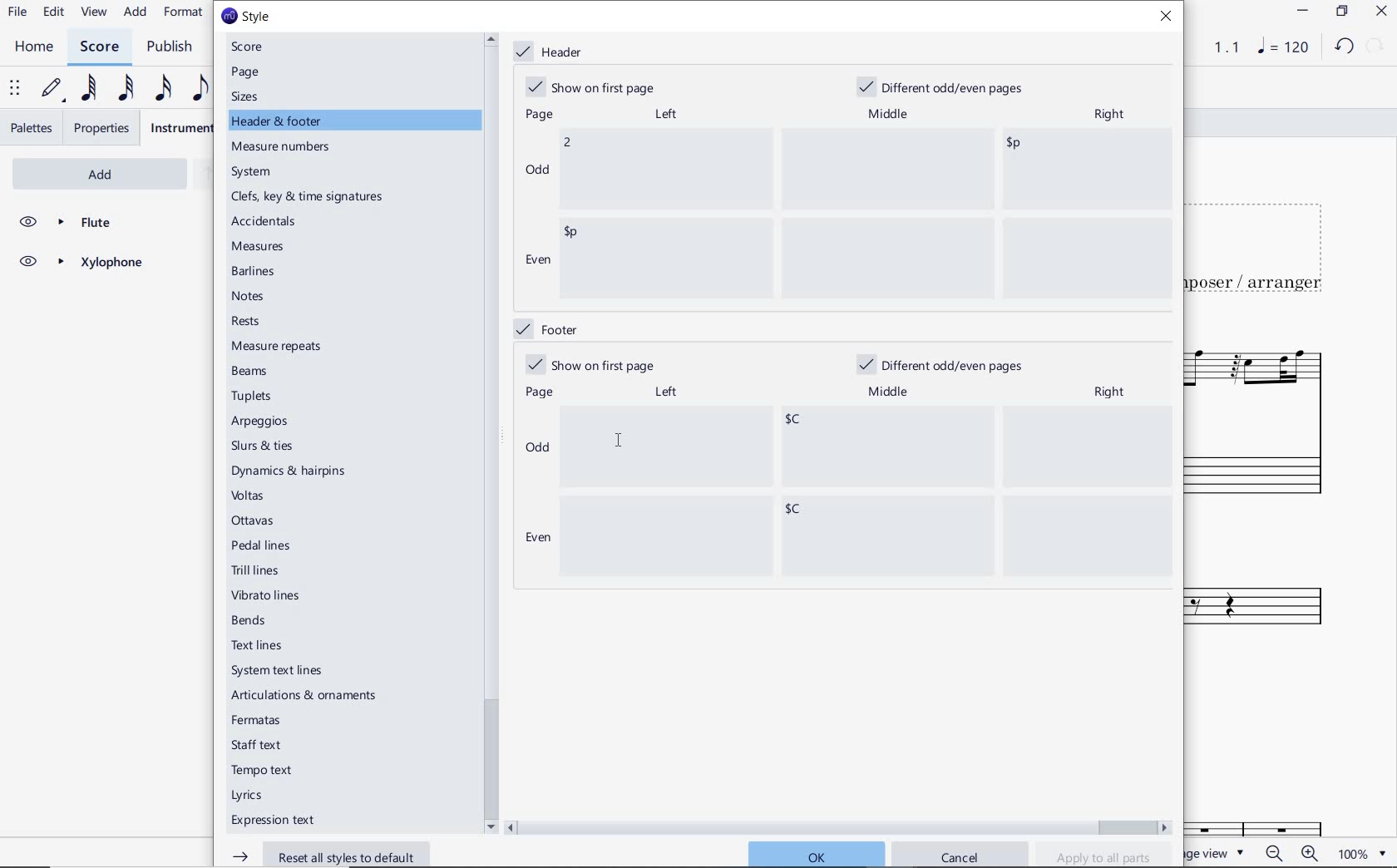 The width and height of the screenshot is (1397, 868). Describe the element at coordinates (263, 447) in the screenshot. I see `slurs & ties` at that location.